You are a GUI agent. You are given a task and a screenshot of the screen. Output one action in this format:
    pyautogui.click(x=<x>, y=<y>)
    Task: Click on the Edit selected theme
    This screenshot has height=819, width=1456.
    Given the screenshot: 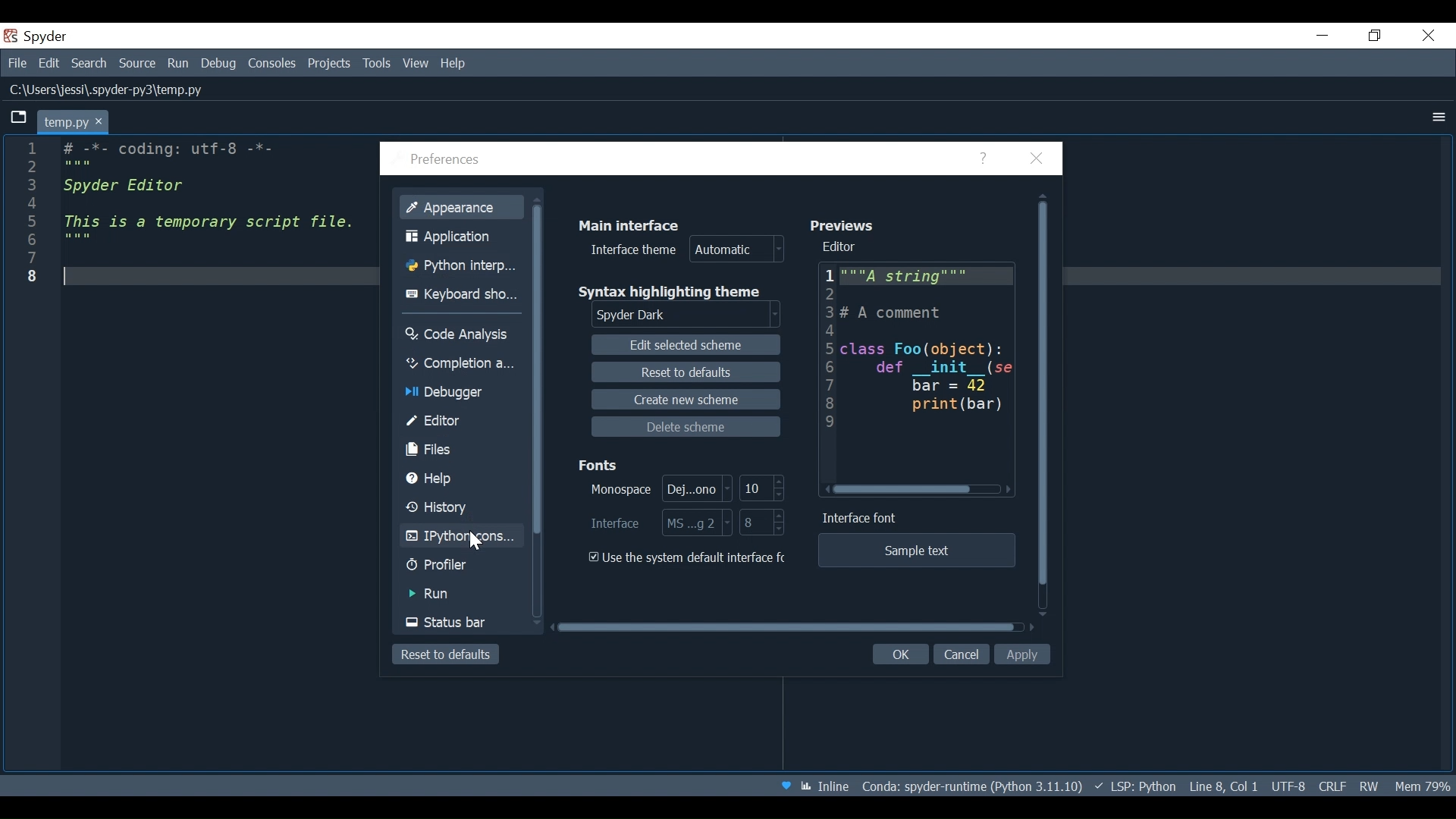 What is the action you would take?
    pyautogui.click(x=686, y=344)
    